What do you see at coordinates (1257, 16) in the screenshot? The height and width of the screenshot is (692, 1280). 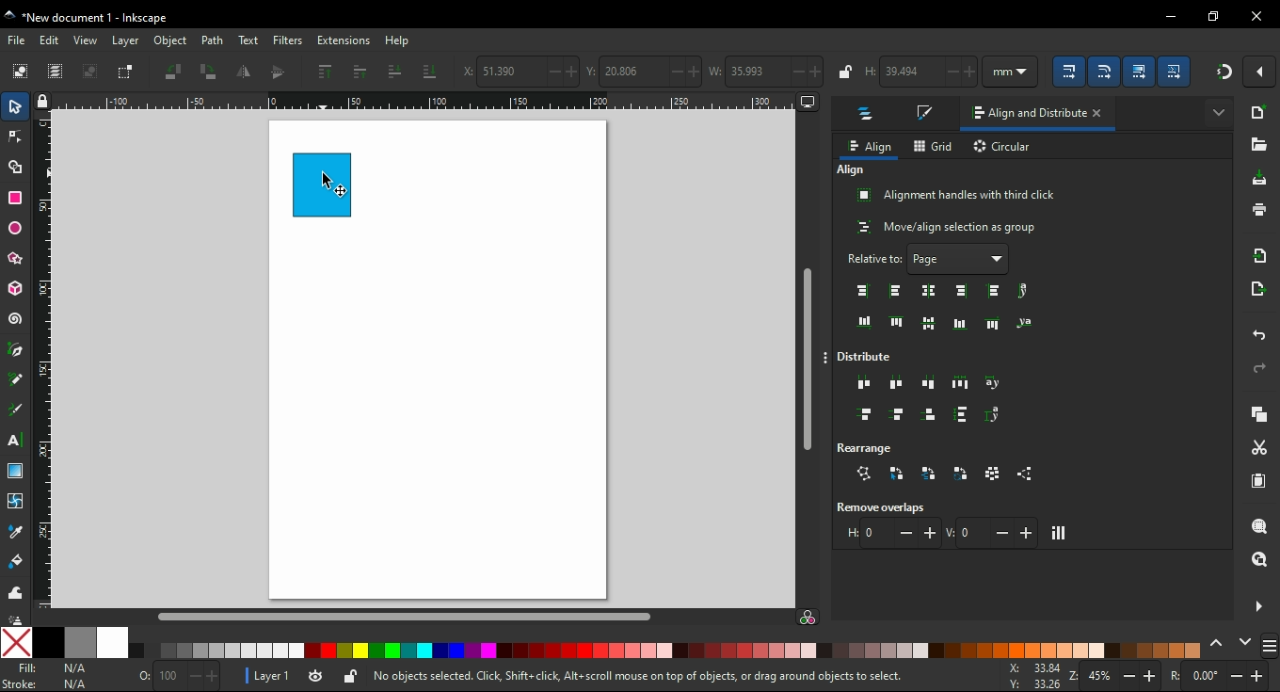 I see `close window` at bounding box center [1257, 16].